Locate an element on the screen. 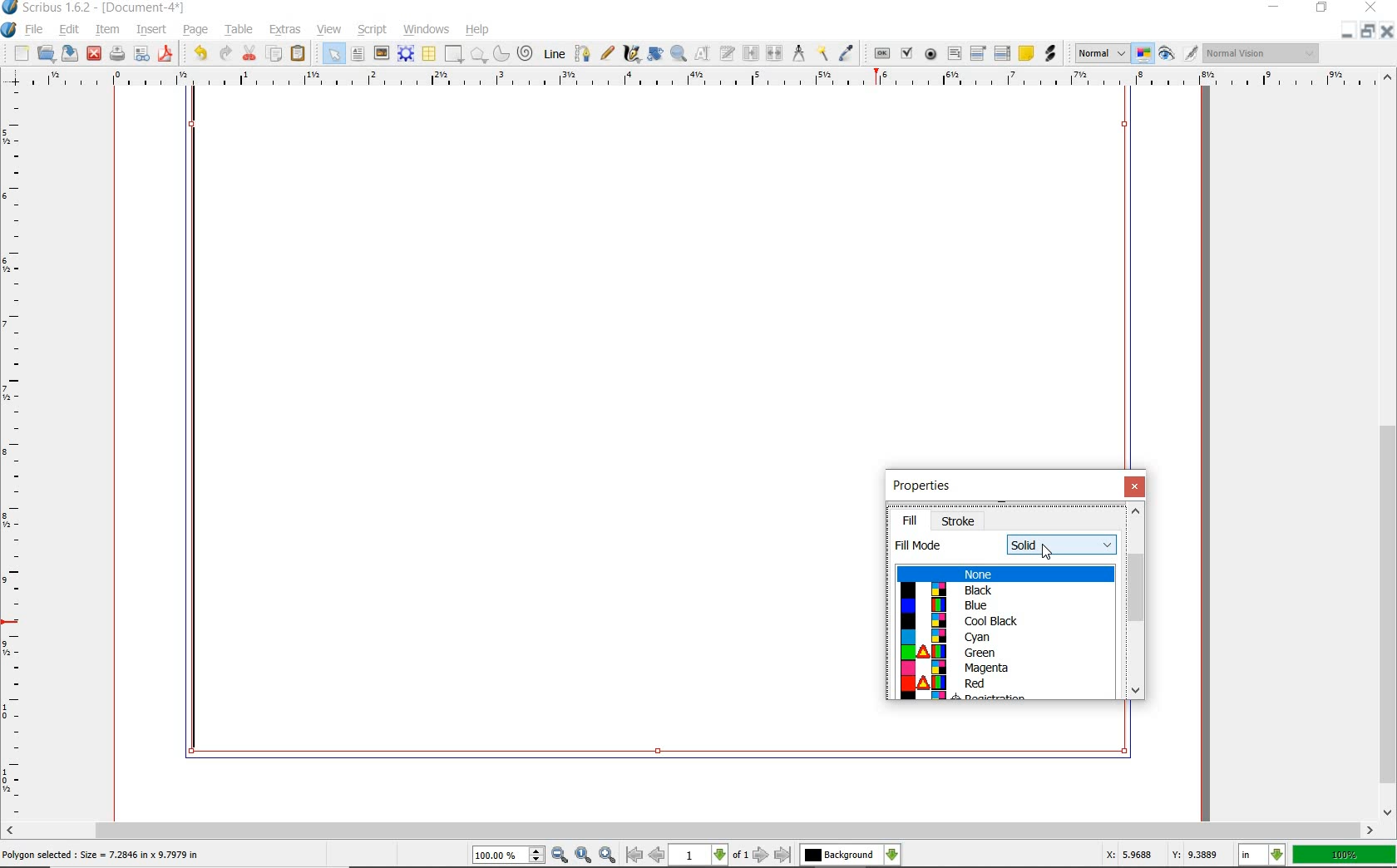 This screenshot has height=868, width=1397. system icon is located at coordinates (9, 29).